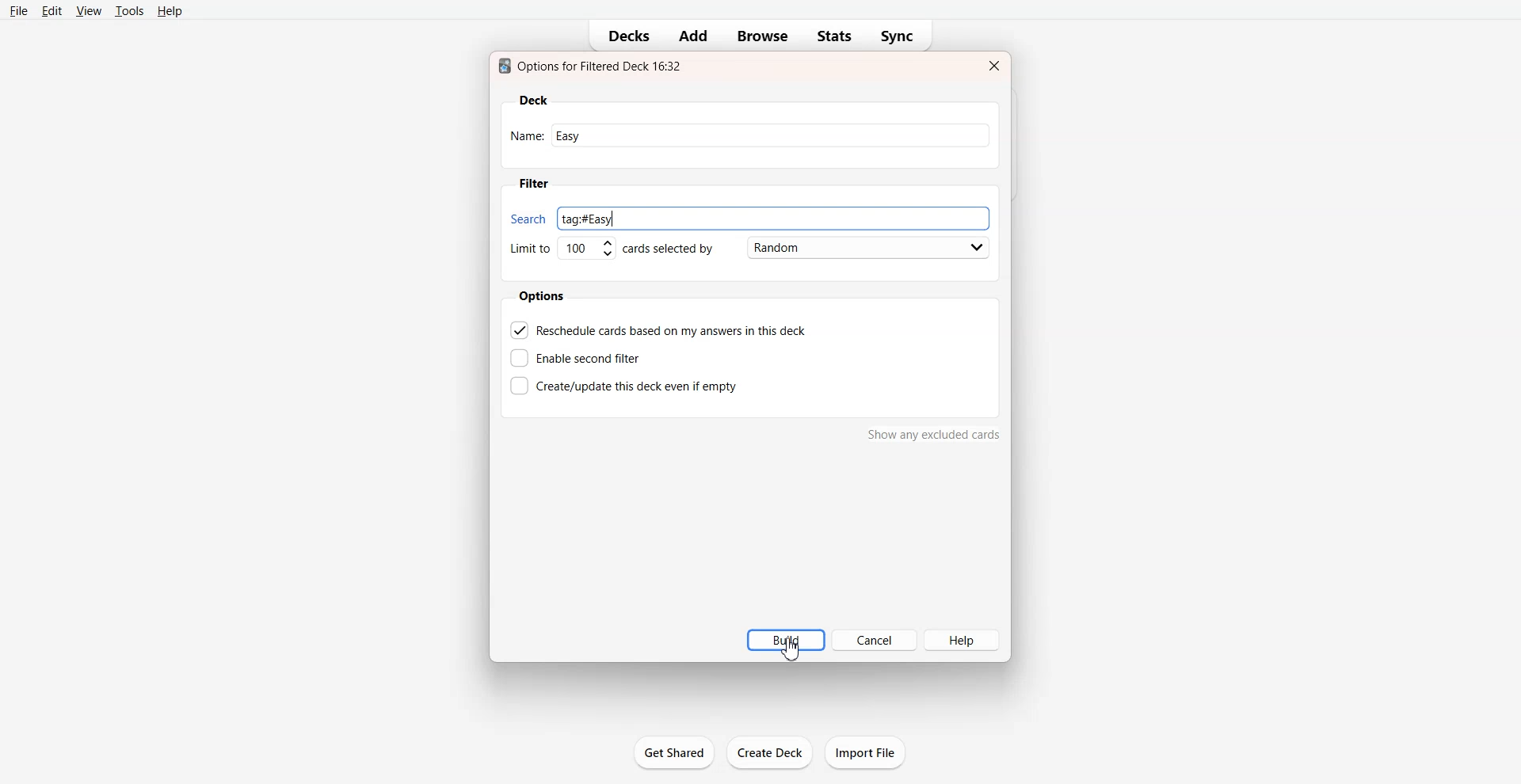 The image size is (1521, 784). Describe the element at coordinates (544, 296) in the screenshot. I see `Options` at that location.